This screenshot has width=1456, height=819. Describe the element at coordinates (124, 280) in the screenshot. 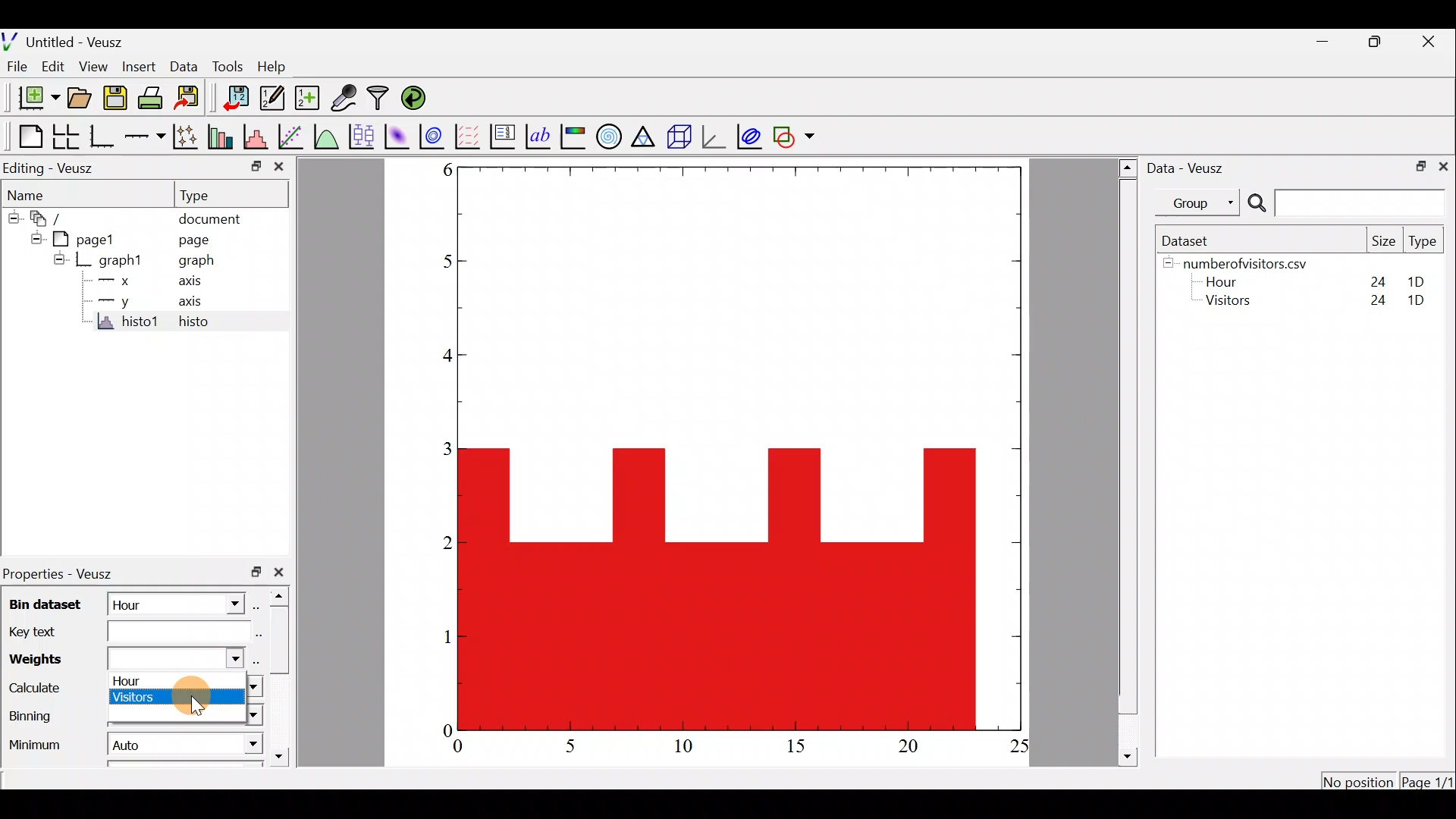

I see `x` at that location.